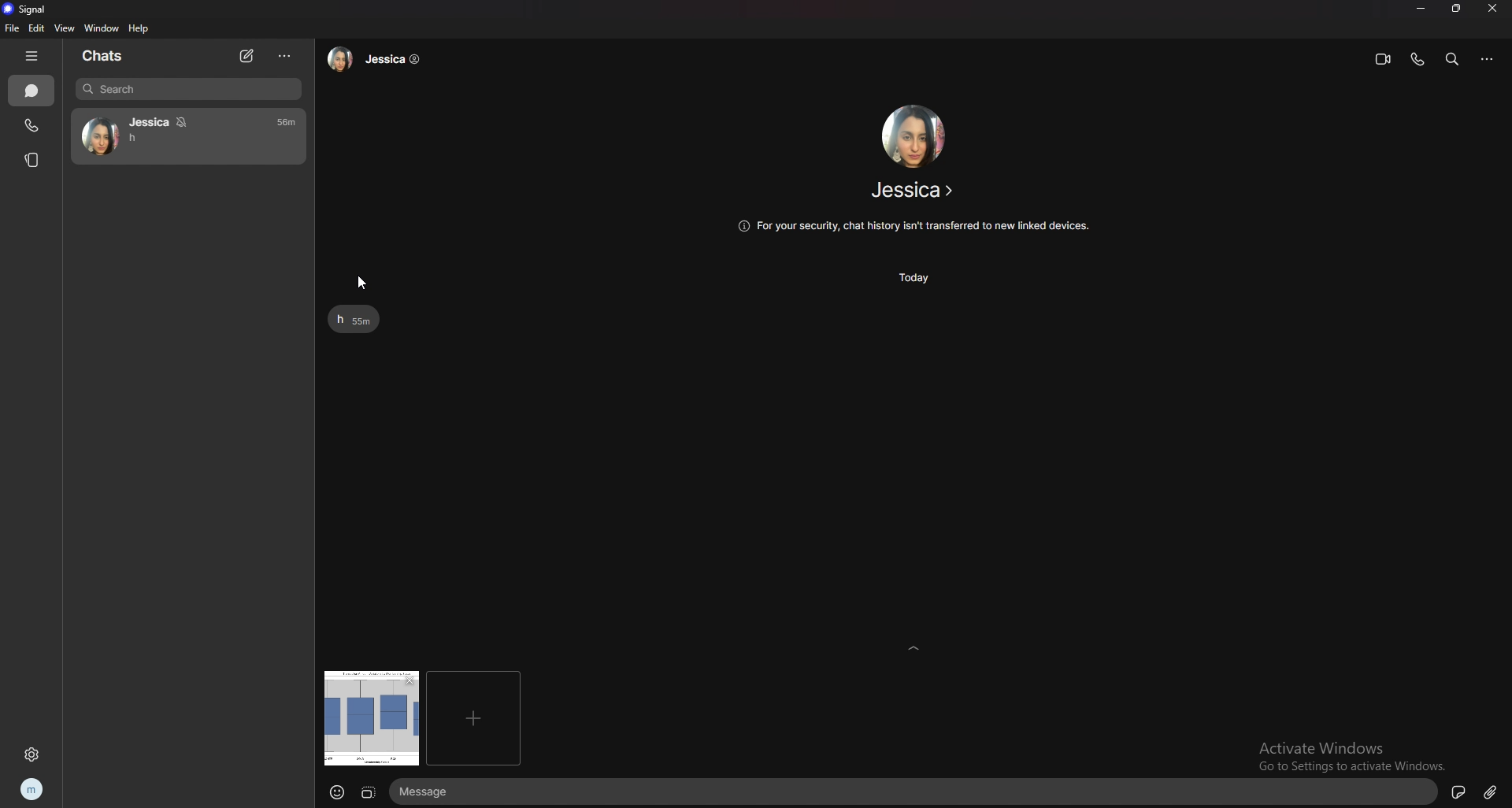 Image resolution: width=1512 pixels, height=808 pixels. What do you see at coordinates (102, 28) in the screenshot?
I see `window` at bounding box center [102, 28].